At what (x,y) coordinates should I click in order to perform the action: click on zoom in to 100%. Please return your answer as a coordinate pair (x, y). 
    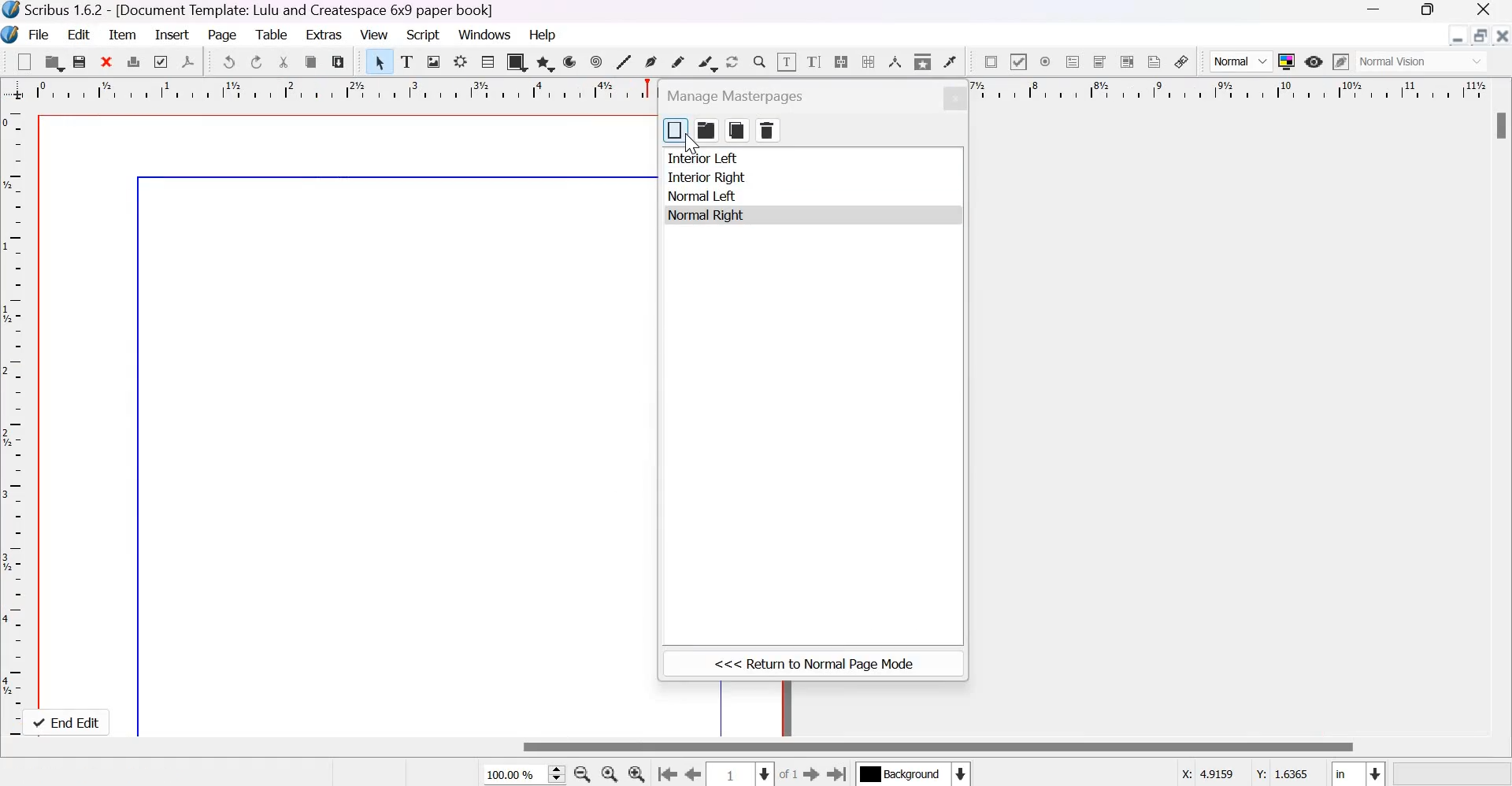
    Looking at the image, I should click on (606, 773).